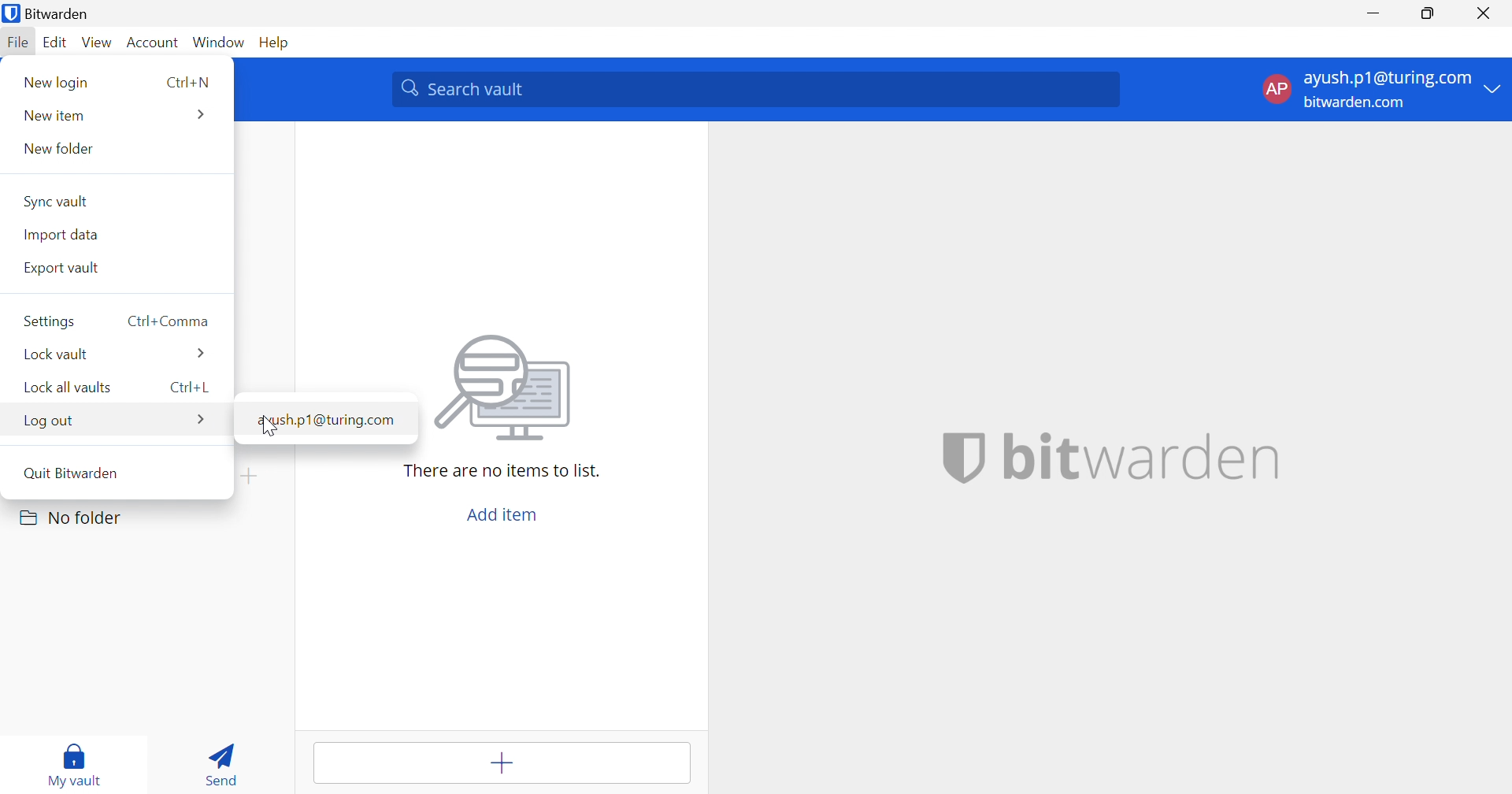 This screenshot has height=794, width=1512. I want to click on Ctrl+l, so click(191, 388).